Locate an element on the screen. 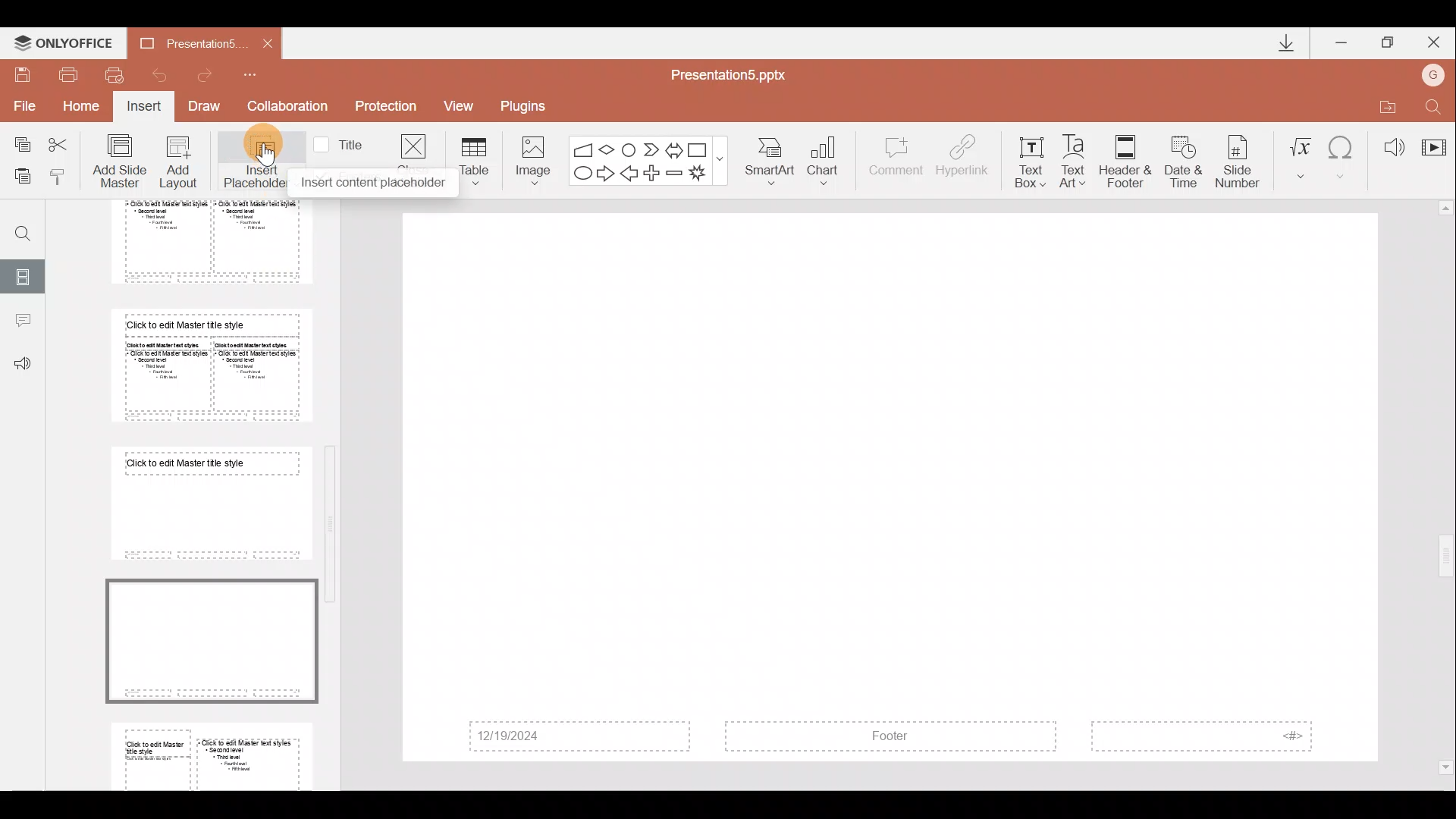 The height and width of the screenshot is (819, 1456). Text Art is located at coordinates (1077, 157).